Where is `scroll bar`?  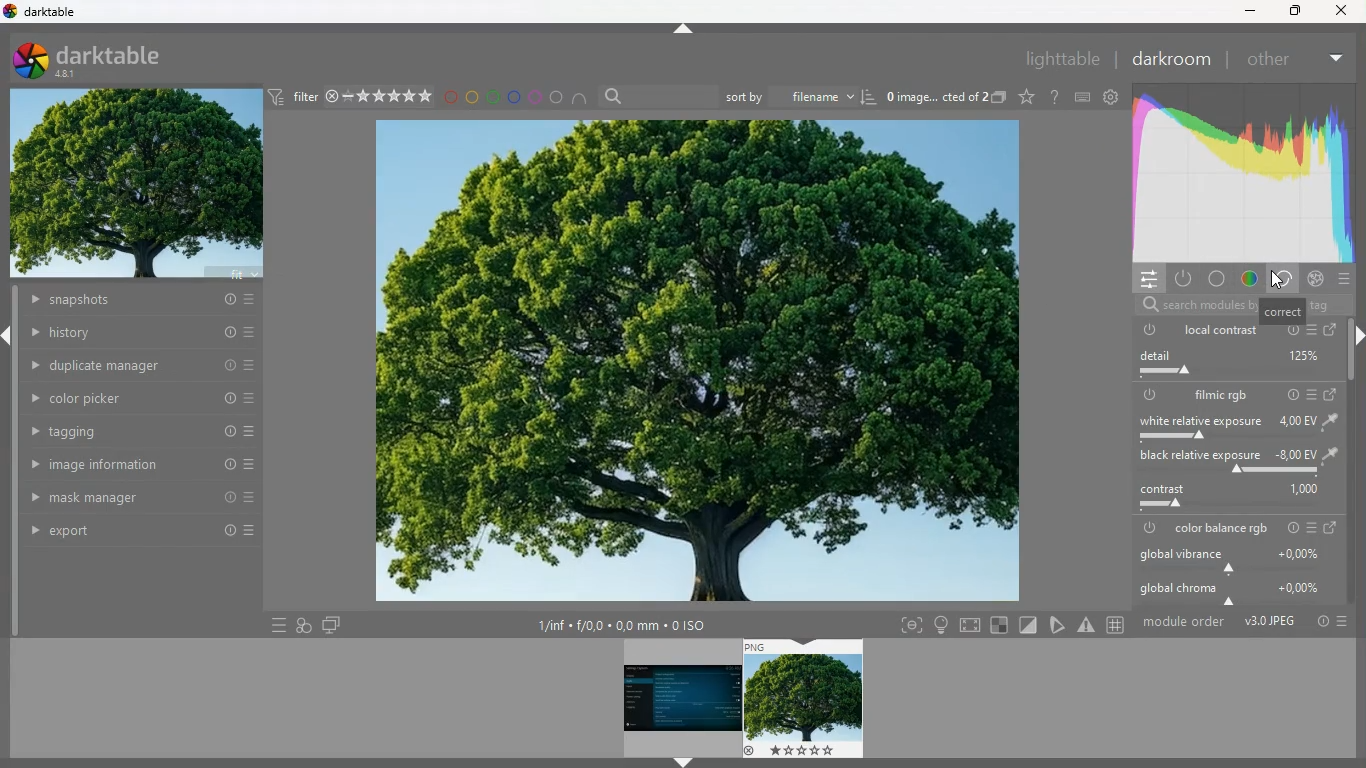
scroll bar is located at coordinates (1357, 490).